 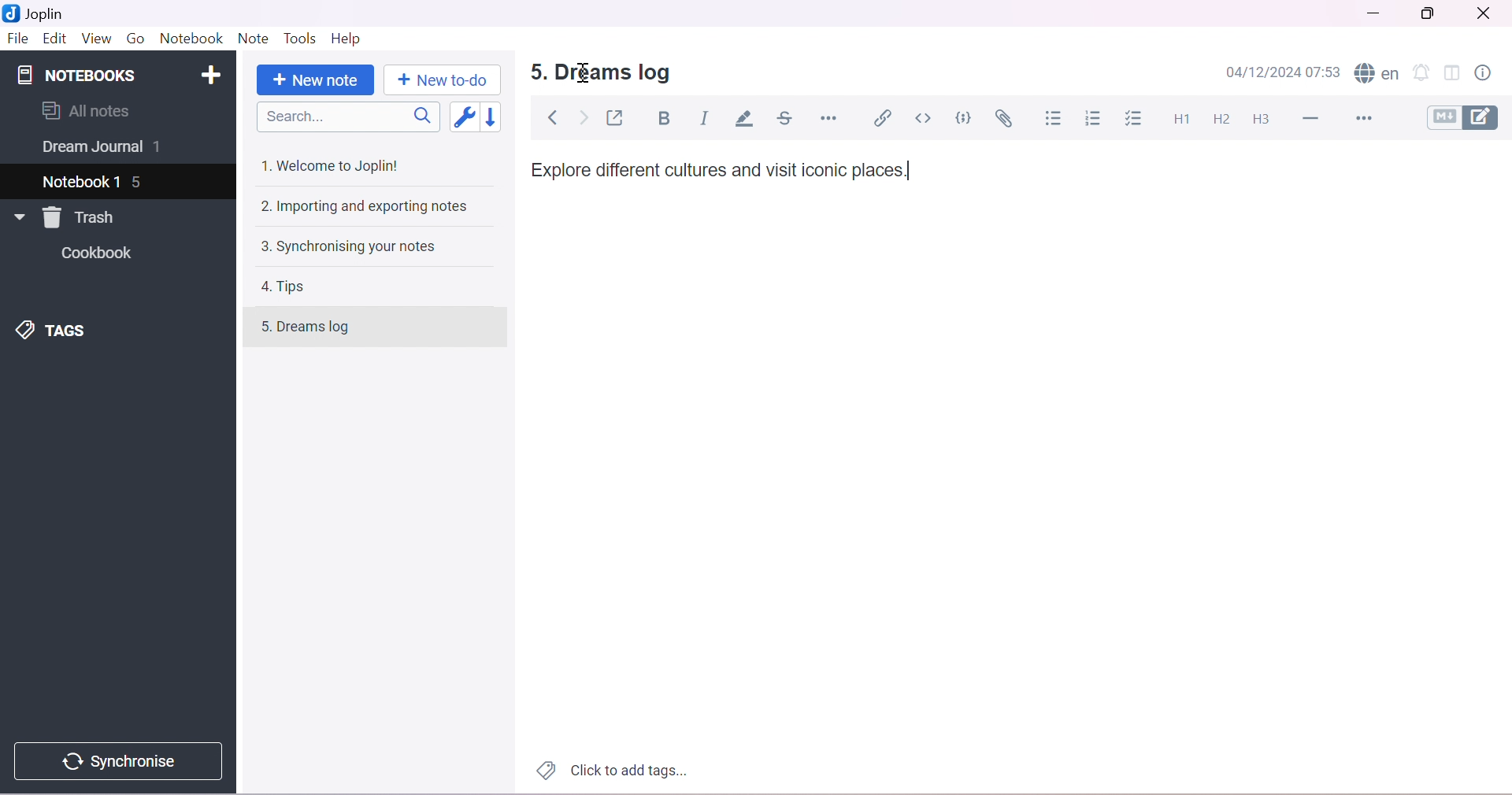 What do you see at coordinates (828, 117) in the screenshot?
I see `Horizontal rule` at bounding box center [828, 117].